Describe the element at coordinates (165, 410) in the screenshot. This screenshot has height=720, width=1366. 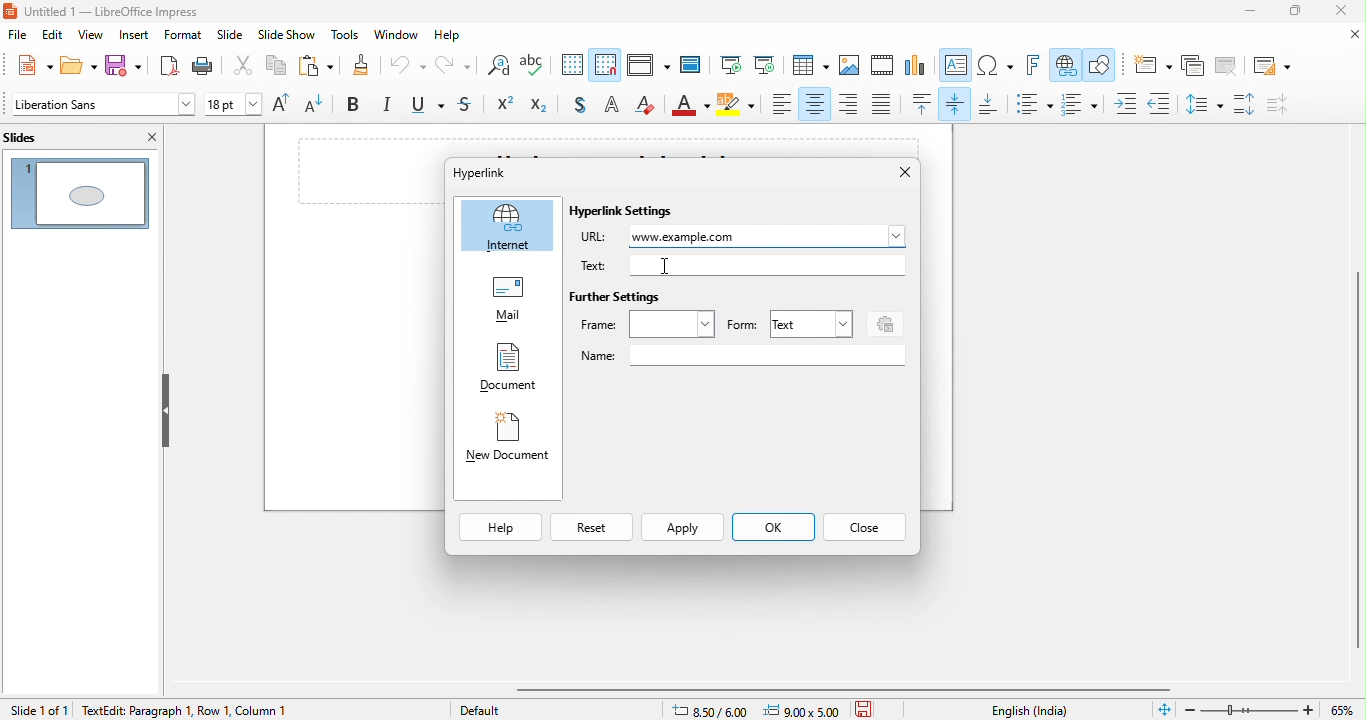
I see `hide` at that location.